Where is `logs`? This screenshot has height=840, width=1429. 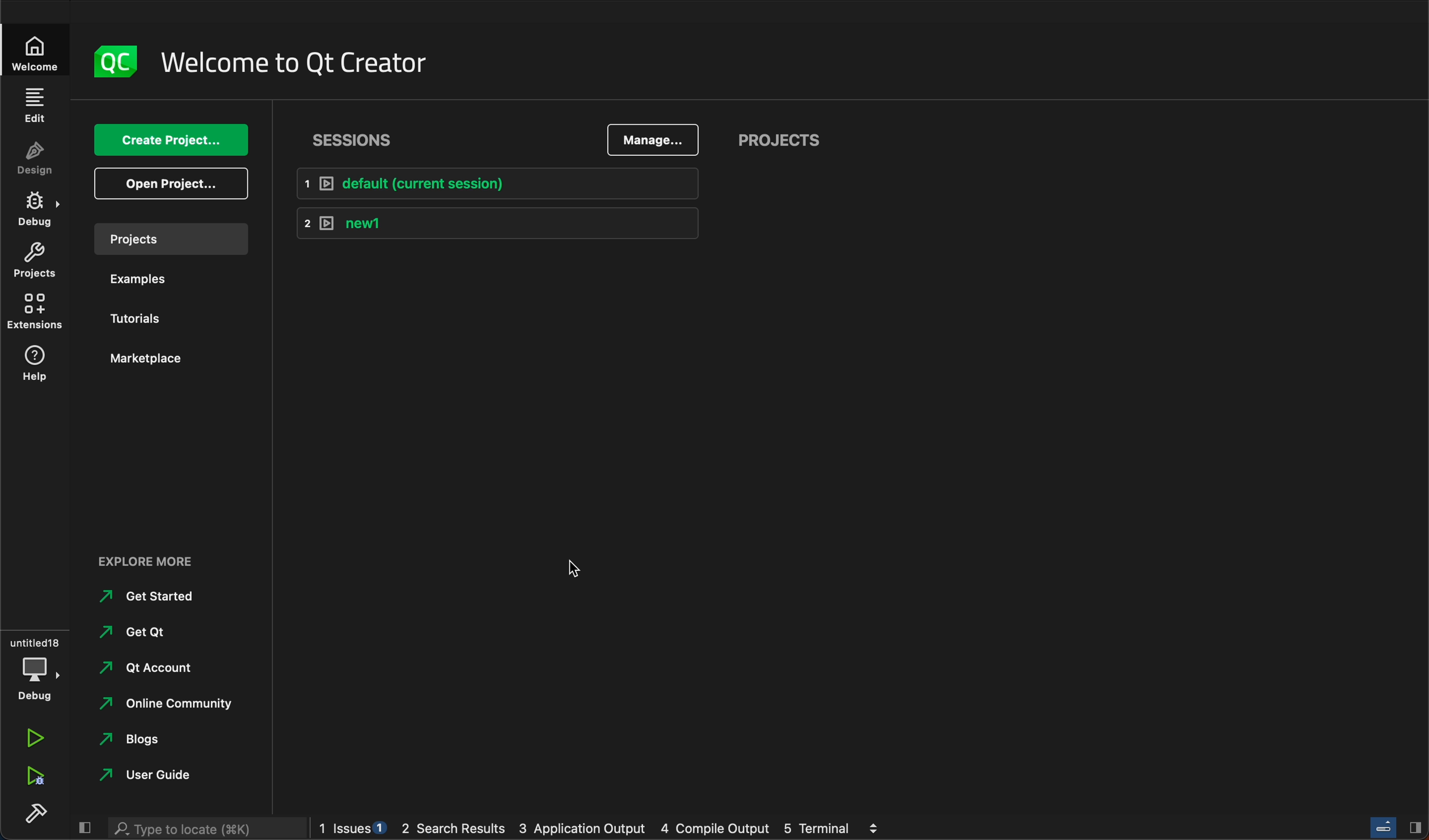
logs is located at coordinates (601, 829).